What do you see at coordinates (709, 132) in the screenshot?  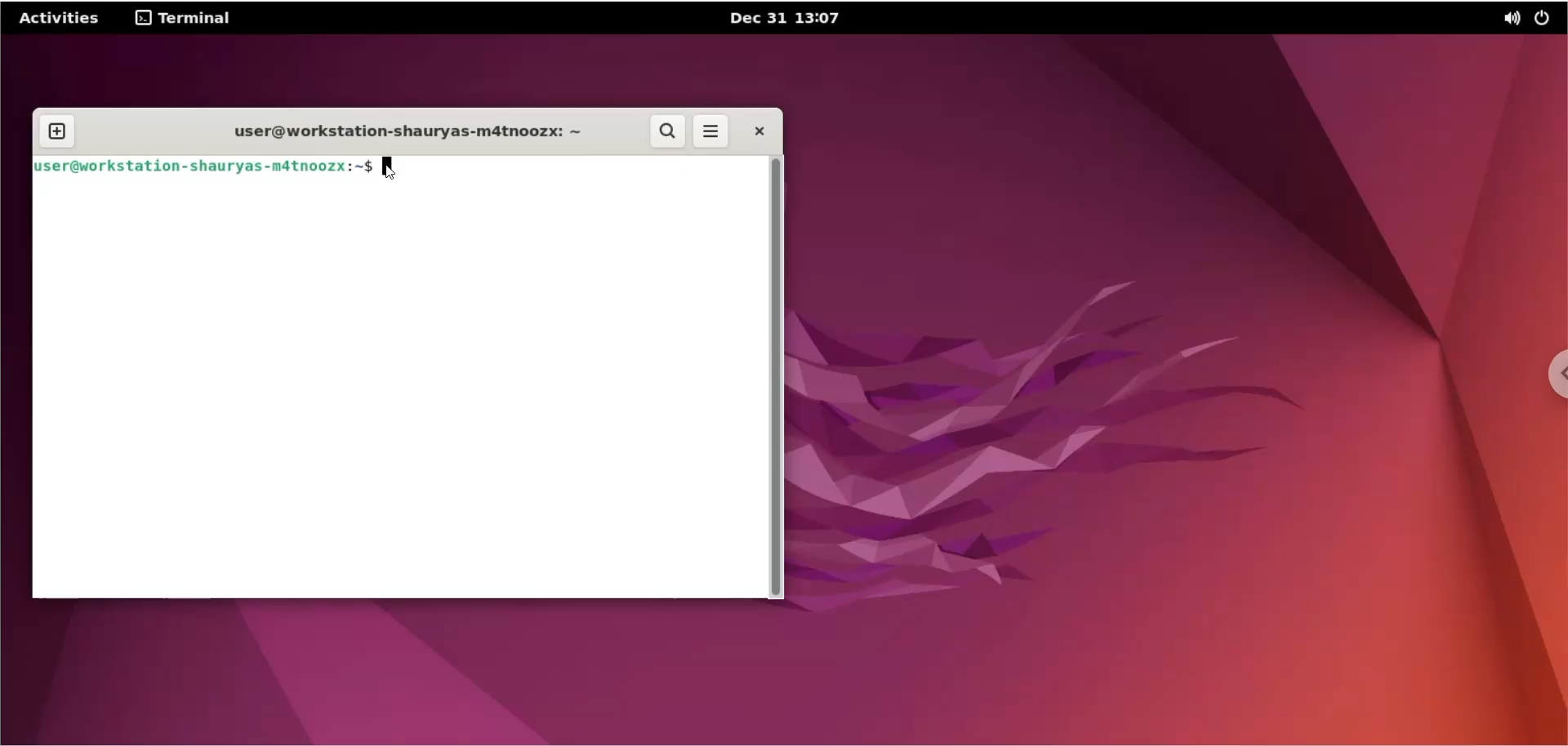 I see `more options` at bounding box center [709, 132].